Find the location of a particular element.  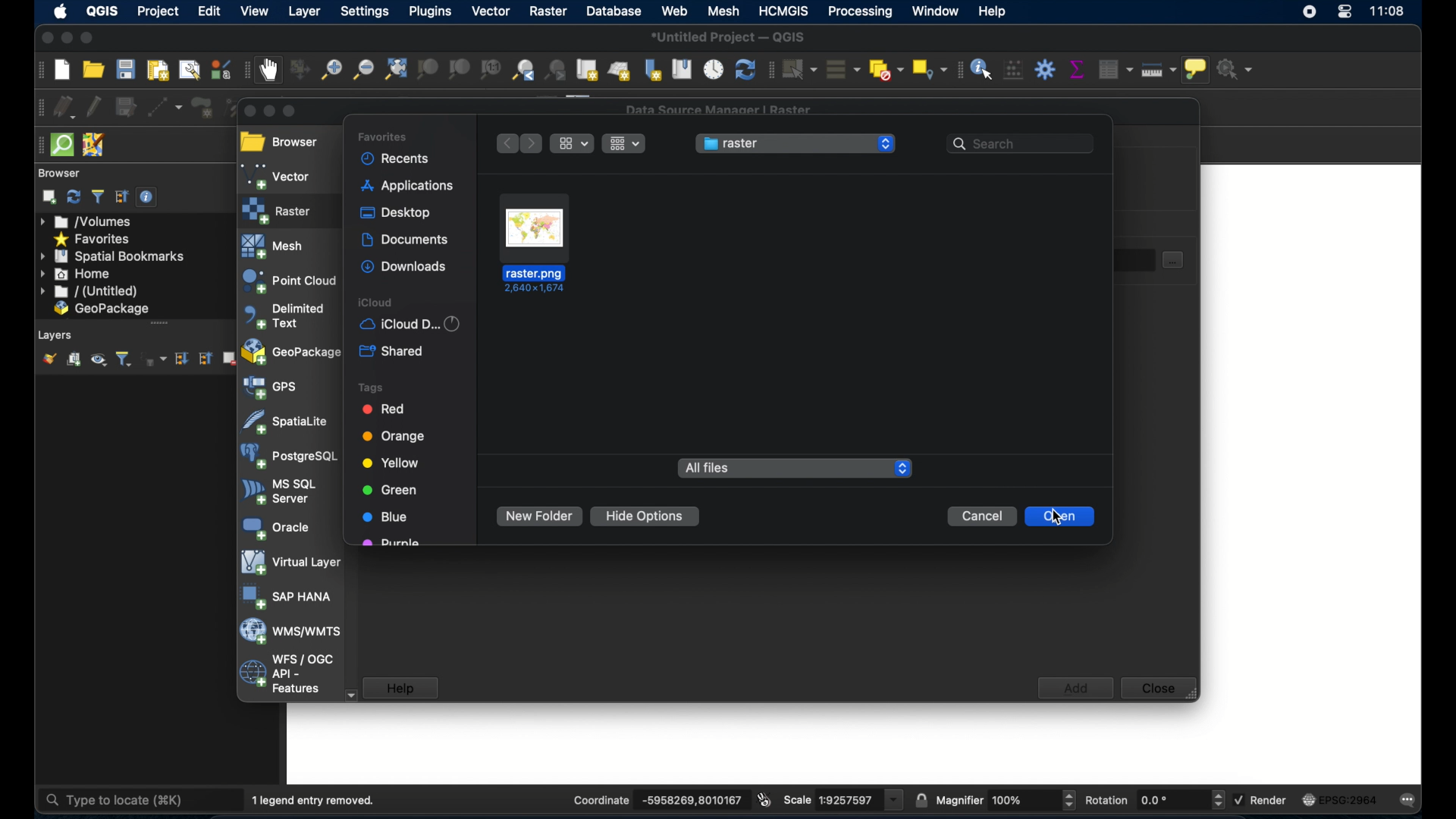

minimize is located at coordinates (267, 109).